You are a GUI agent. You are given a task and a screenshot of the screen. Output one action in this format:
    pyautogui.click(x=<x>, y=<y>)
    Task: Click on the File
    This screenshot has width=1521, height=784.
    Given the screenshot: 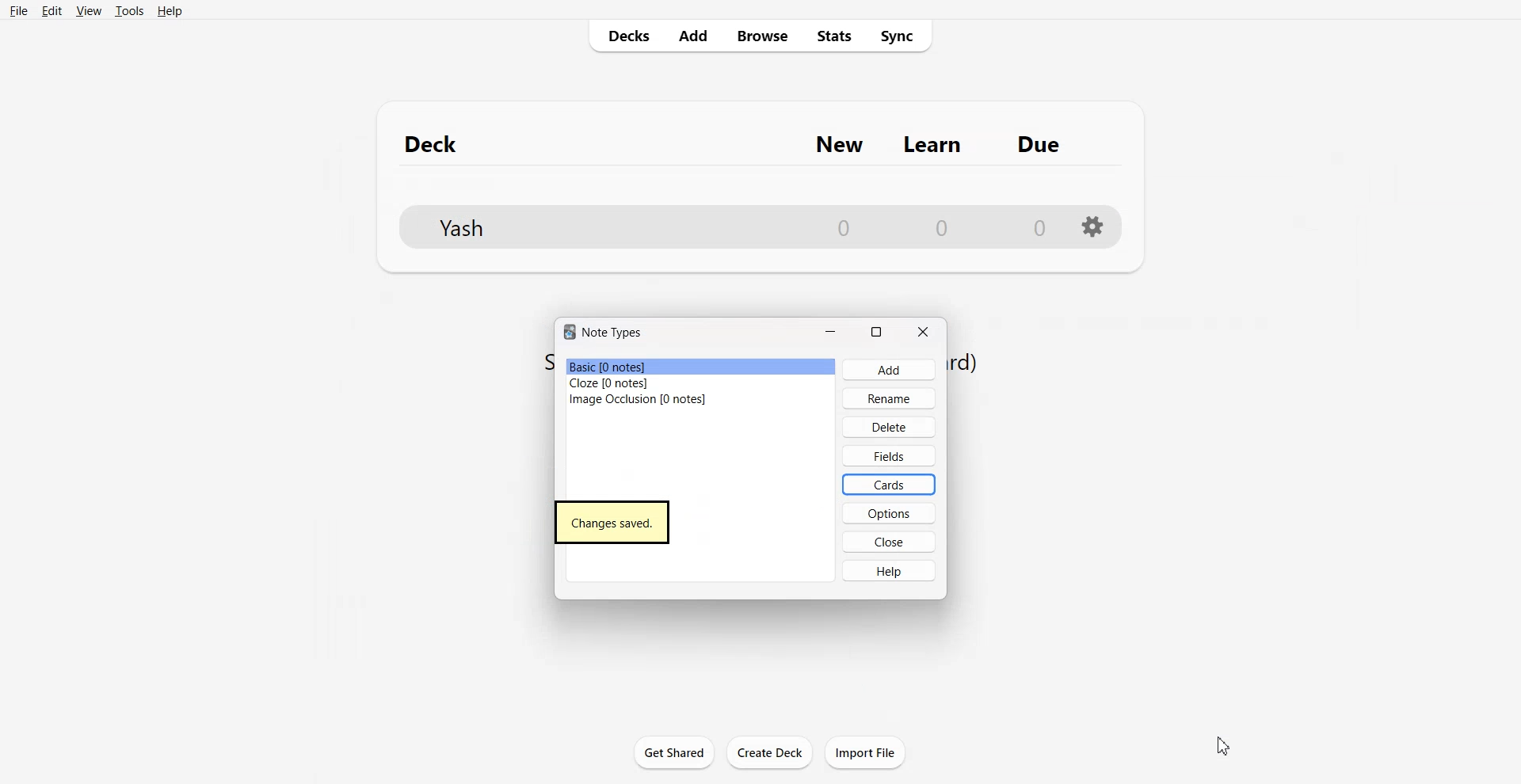 What is the action you would take?
    pyautogui.click(x=732, y=226)
    